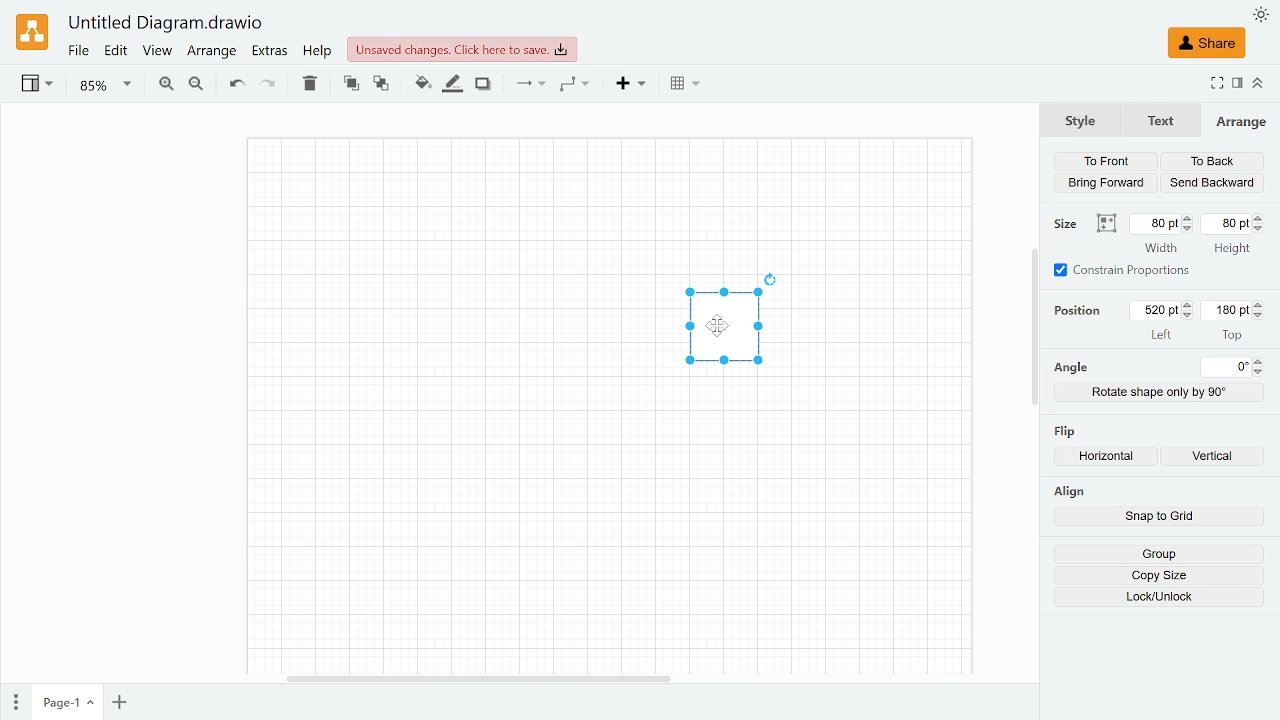  What do you see at coordinates (1212, 163) in the screenshot?
I see `To back` at bounding box center [1212, 163].